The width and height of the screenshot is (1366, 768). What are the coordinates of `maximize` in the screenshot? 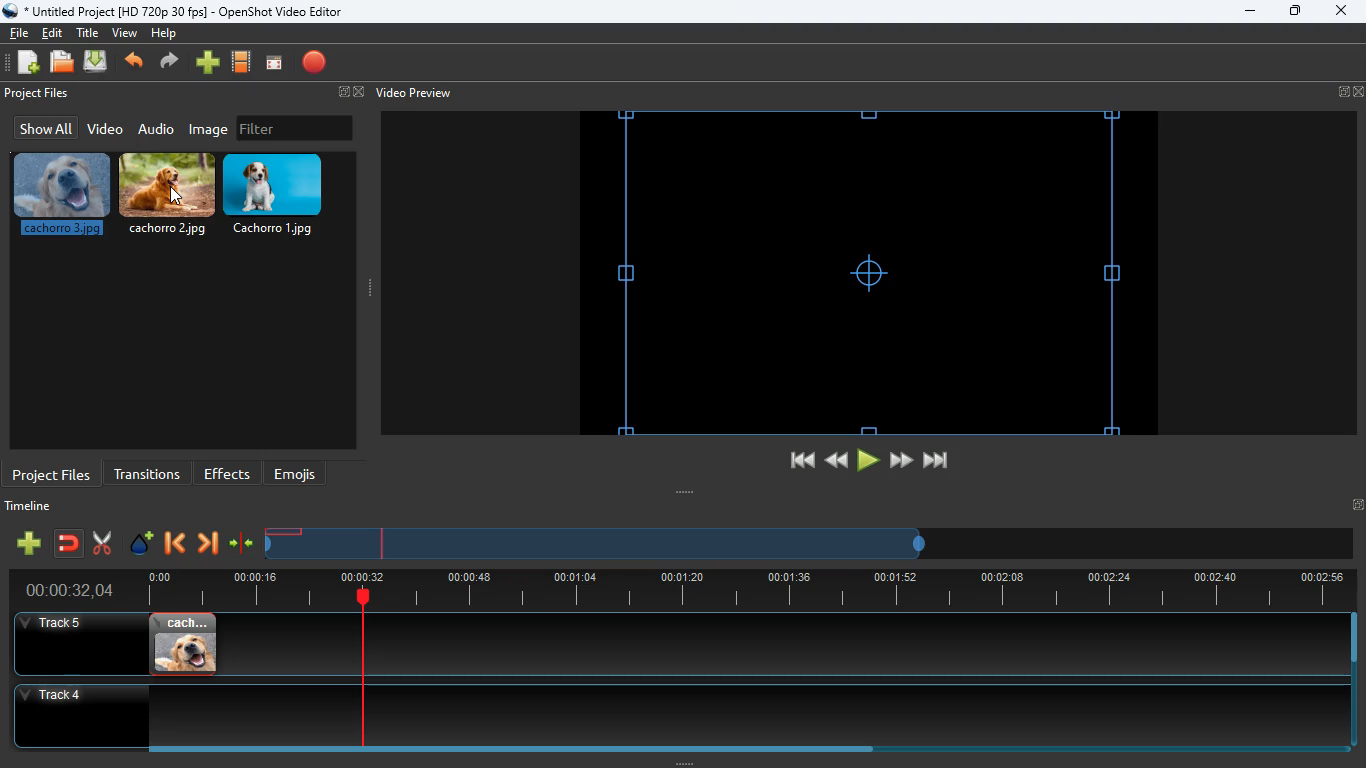 It's located at (1296, 13).